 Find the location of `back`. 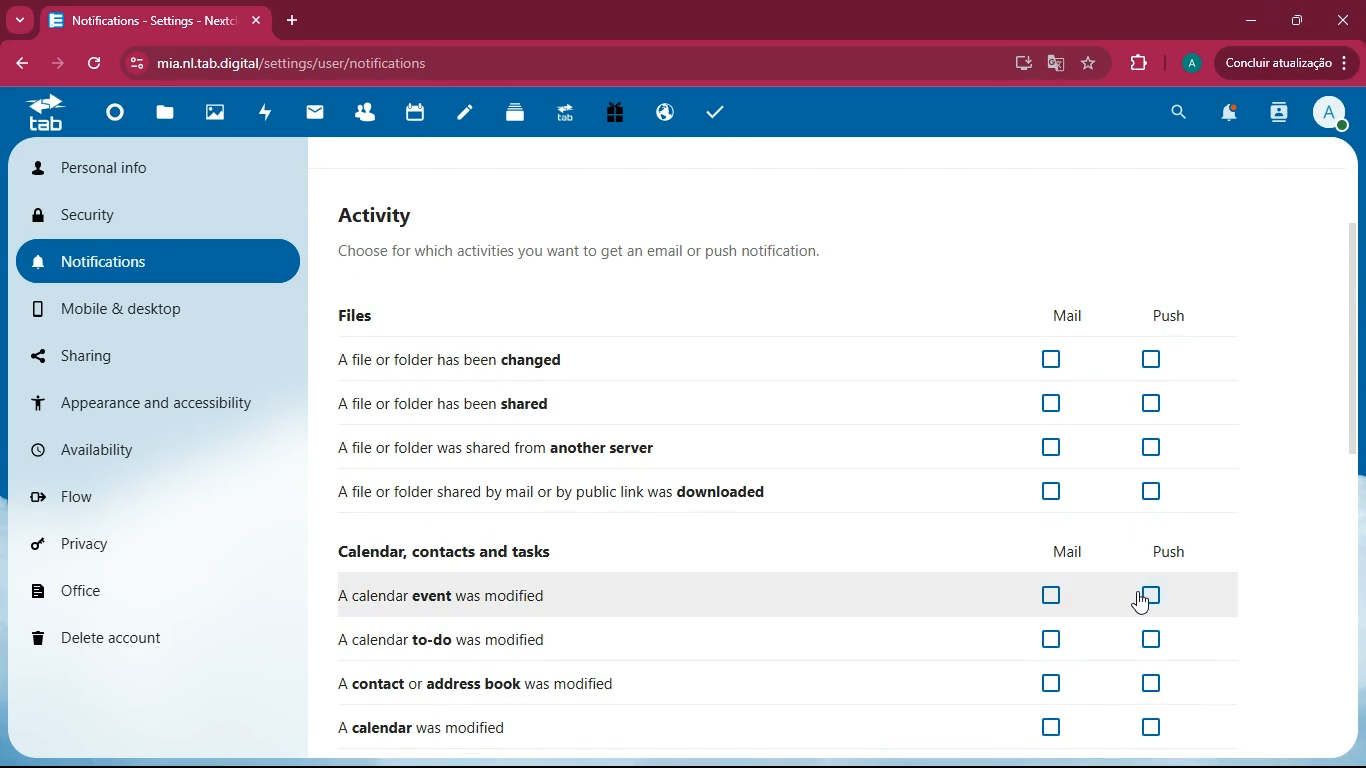

back is located at coordinates (57, 66).